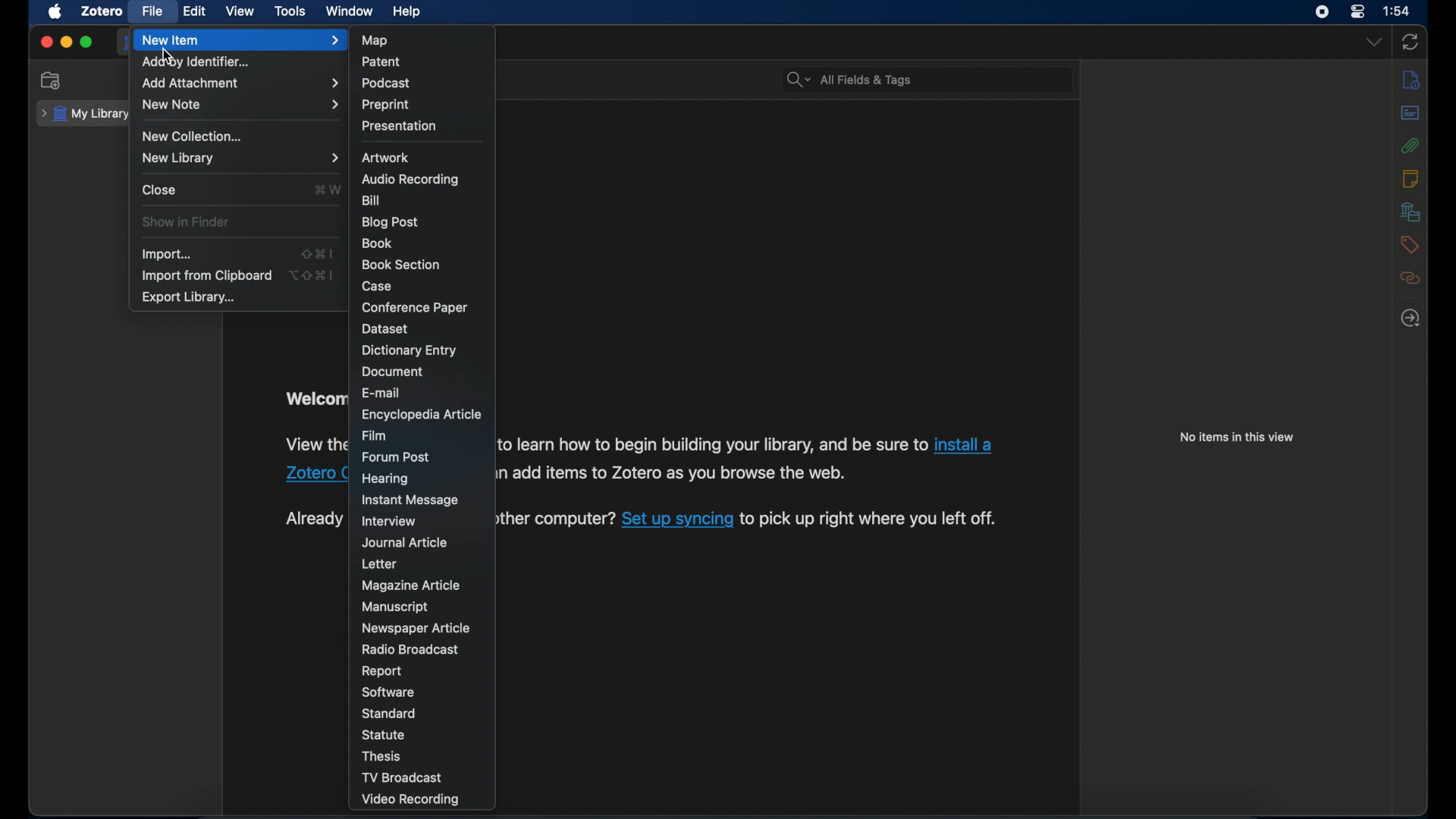 Image resolution: width=1456 pixels, height=819 pixels. Describe the element at coordinates (196, 136) in the screenshot. I see `new collection` at that location.